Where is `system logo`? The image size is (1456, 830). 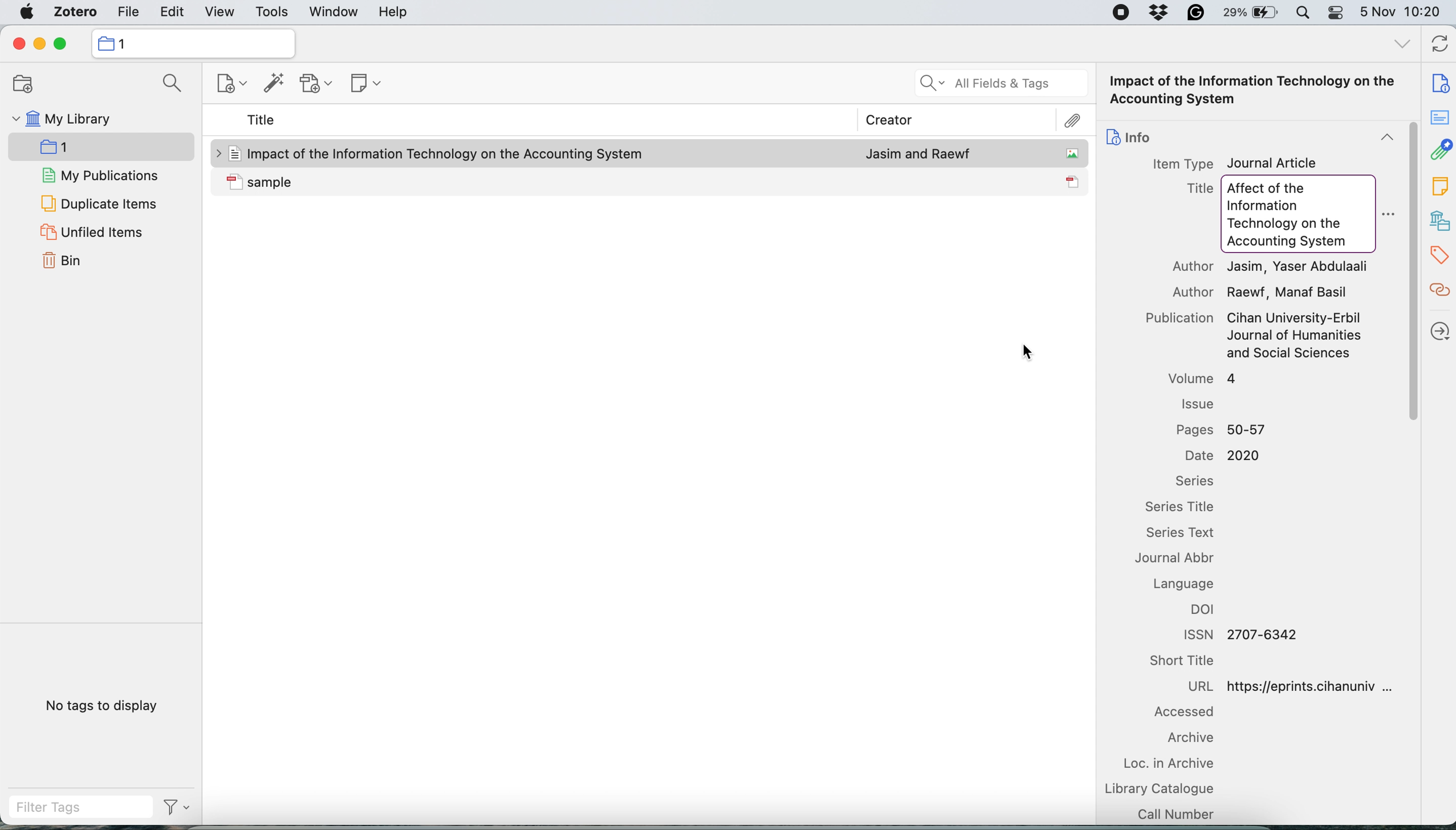 system logo is located at coordinates (25, 13).